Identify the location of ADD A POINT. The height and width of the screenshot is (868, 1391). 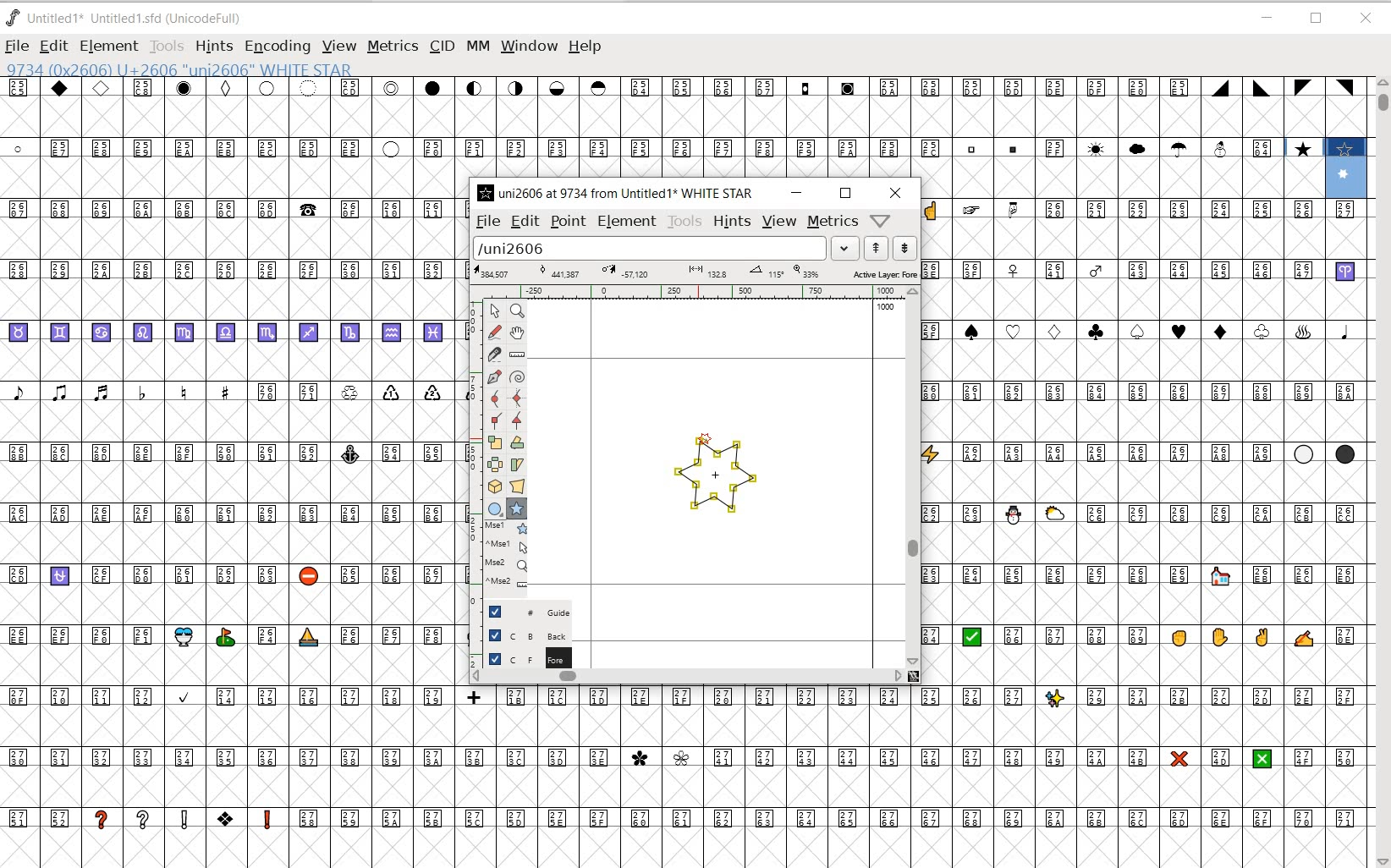
(496, 376).